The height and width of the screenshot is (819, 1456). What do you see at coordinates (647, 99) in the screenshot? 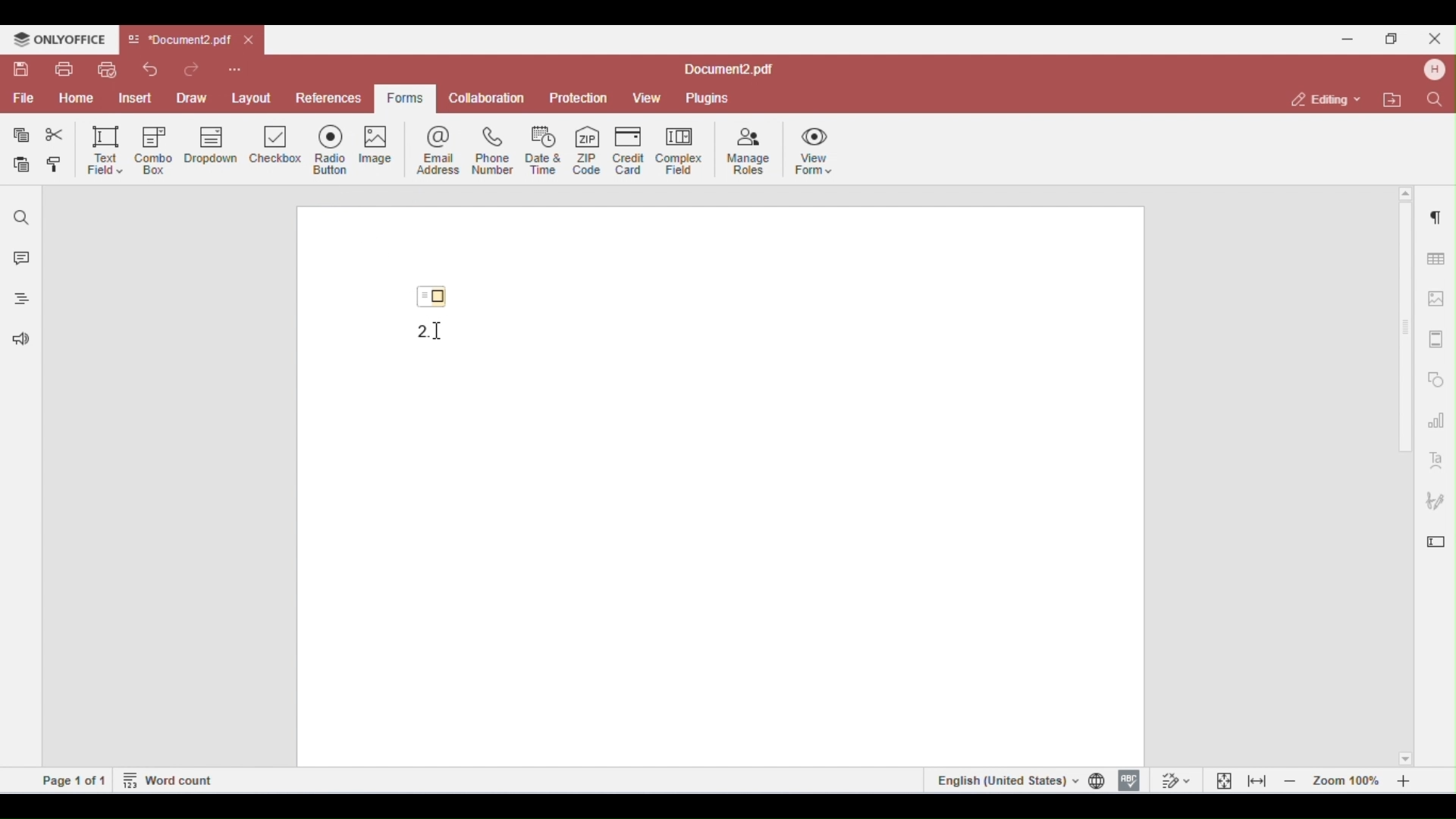
I see `view` at bounding box center [647, 99].